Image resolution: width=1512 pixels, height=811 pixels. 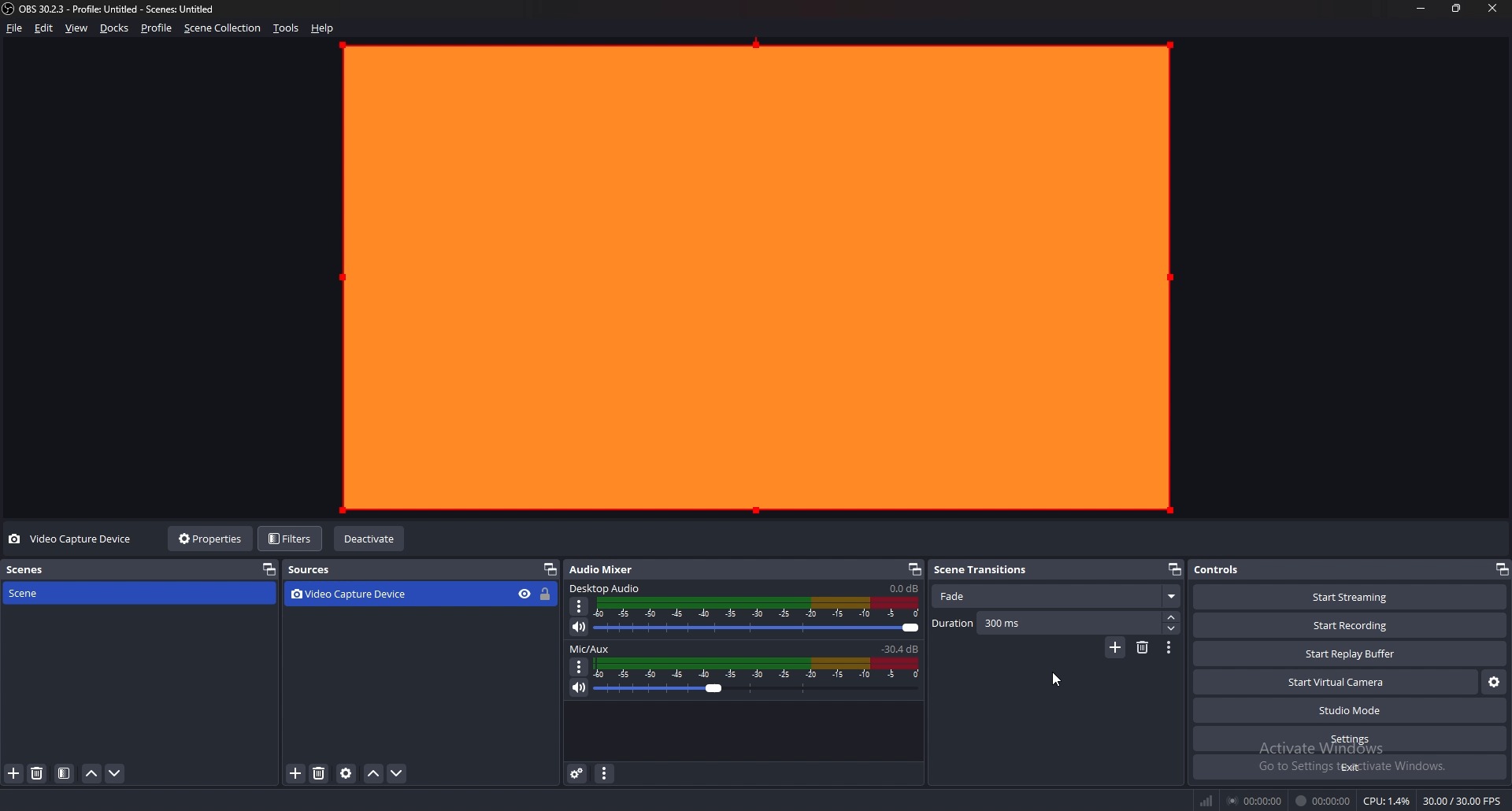 I want to click on studio mode, so click(x=1348, y=711).